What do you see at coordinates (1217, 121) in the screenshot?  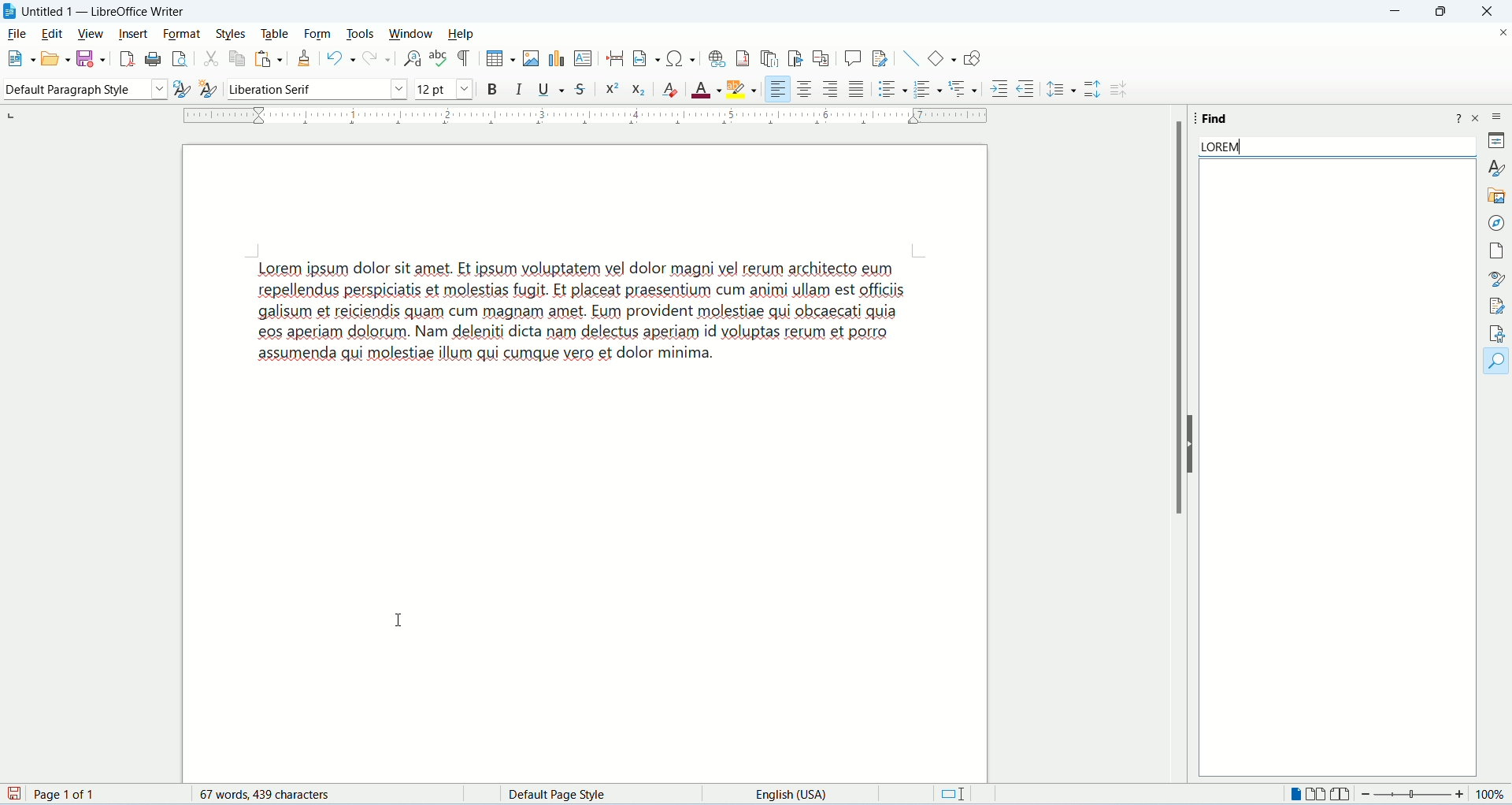 I see `find` at bounding box center [1217, 121].